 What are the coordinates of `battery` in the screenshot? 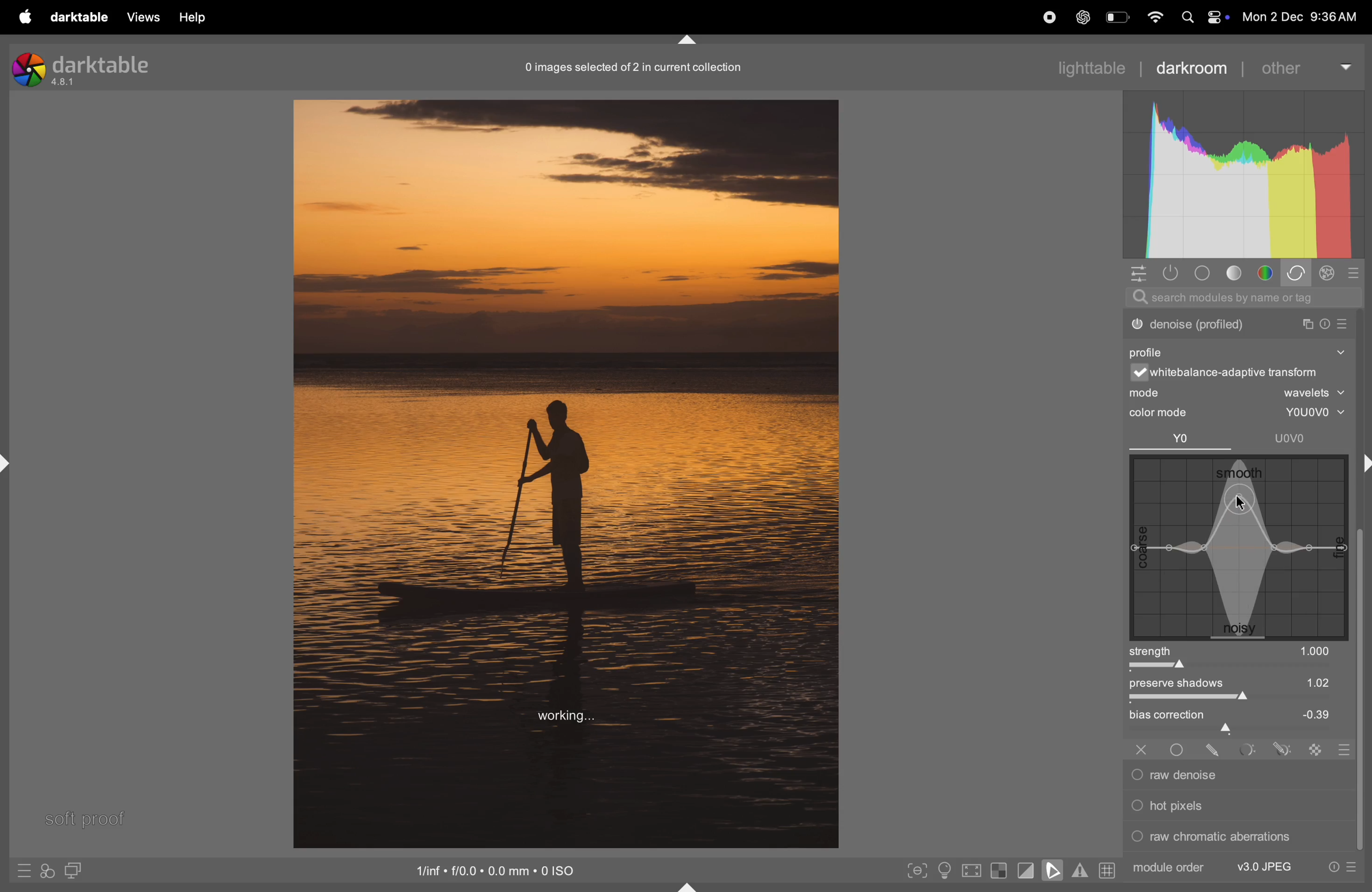 It's located at (1117, 19).